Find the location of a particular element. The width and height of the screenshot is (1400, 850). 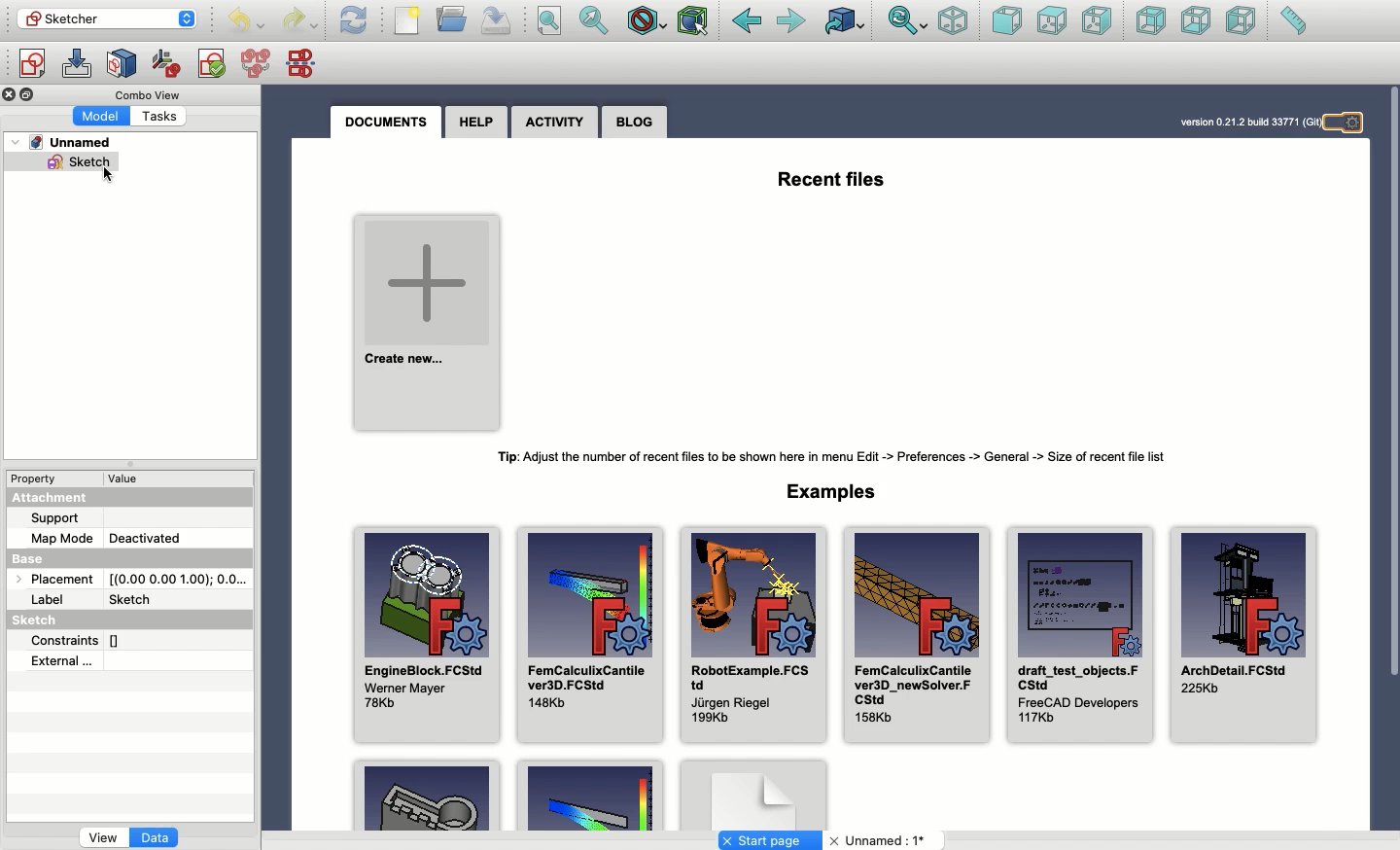

Sketch is located at coordinates (42, 621).